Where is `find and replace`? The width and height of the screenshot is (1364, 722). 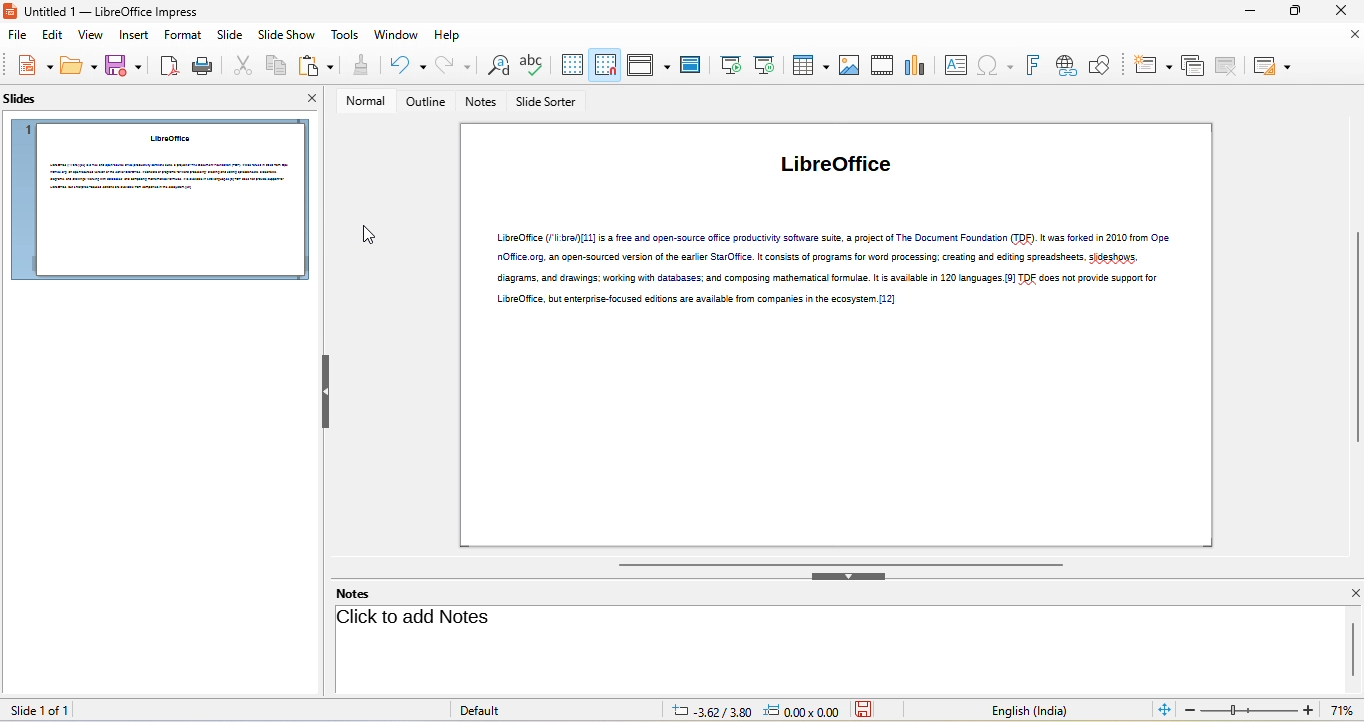
find and replace is located at coordinates (499, 68).